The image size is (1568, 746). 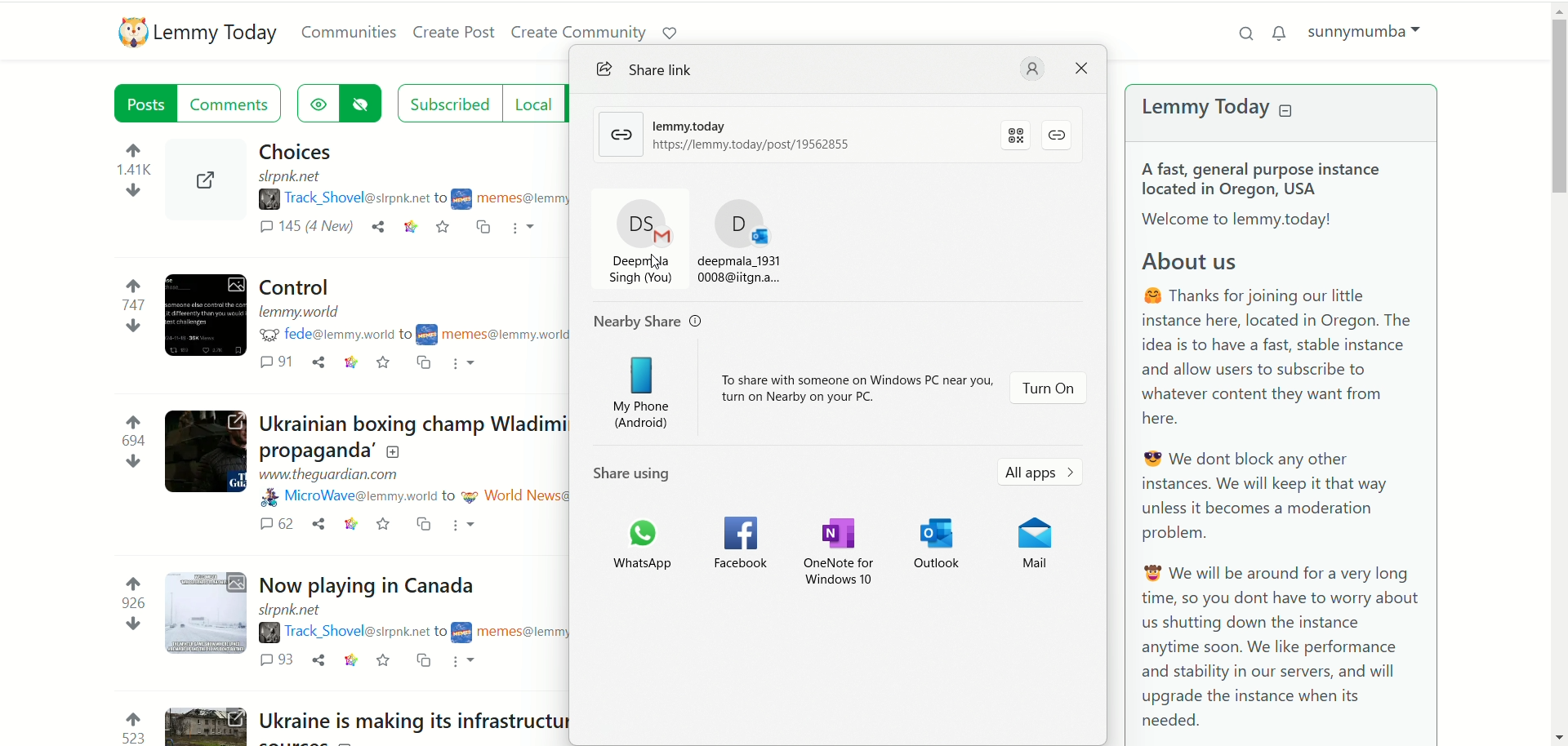 What do you see at coordinates (317, 659) in the screenshot?
I see `share` at bounding box center [317, 659].